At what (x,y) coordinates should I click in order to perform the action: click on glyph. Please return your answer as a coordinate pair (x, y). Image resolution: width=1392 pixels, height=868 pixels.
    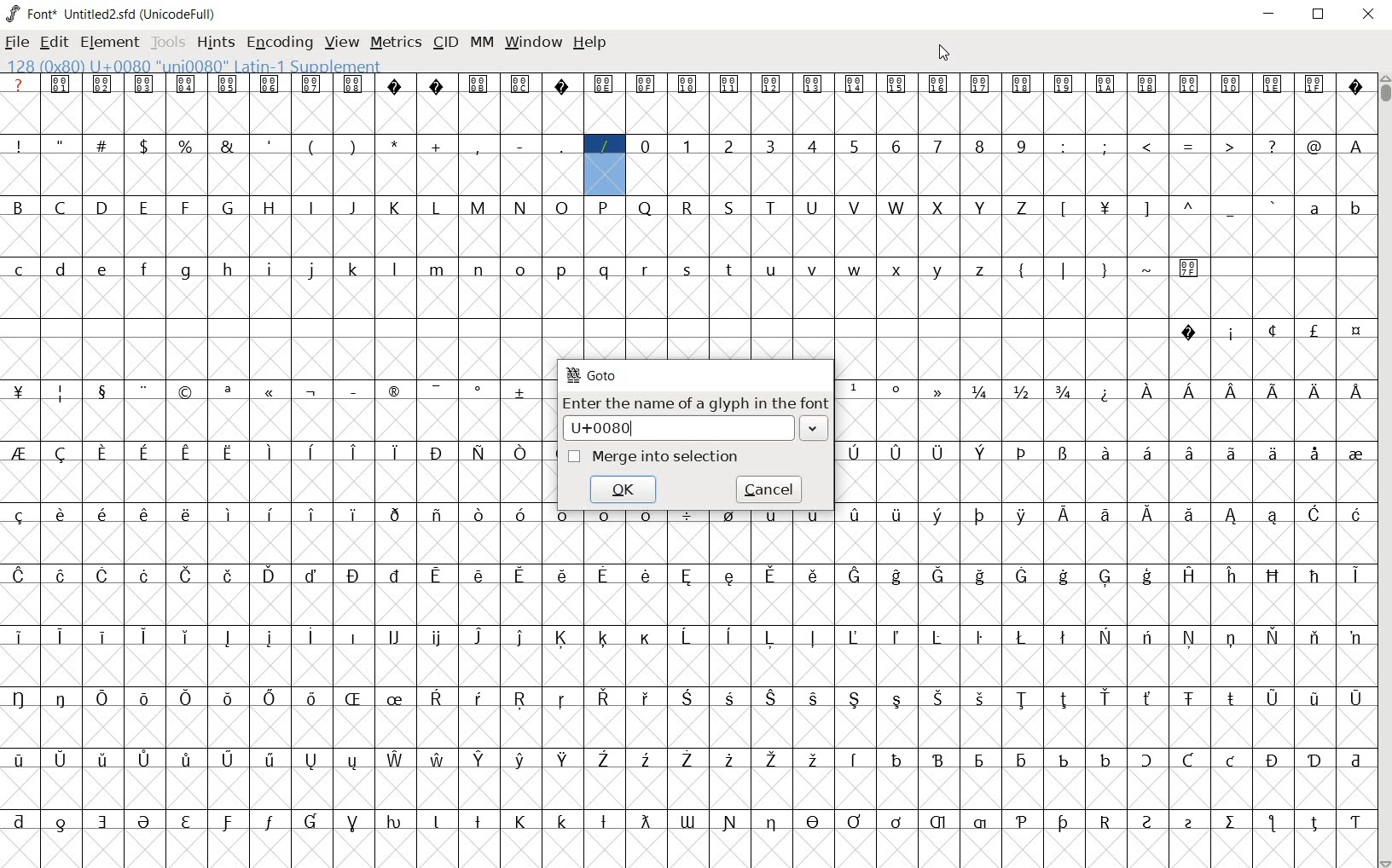
    Looking at the image, I should click on (312, 576).